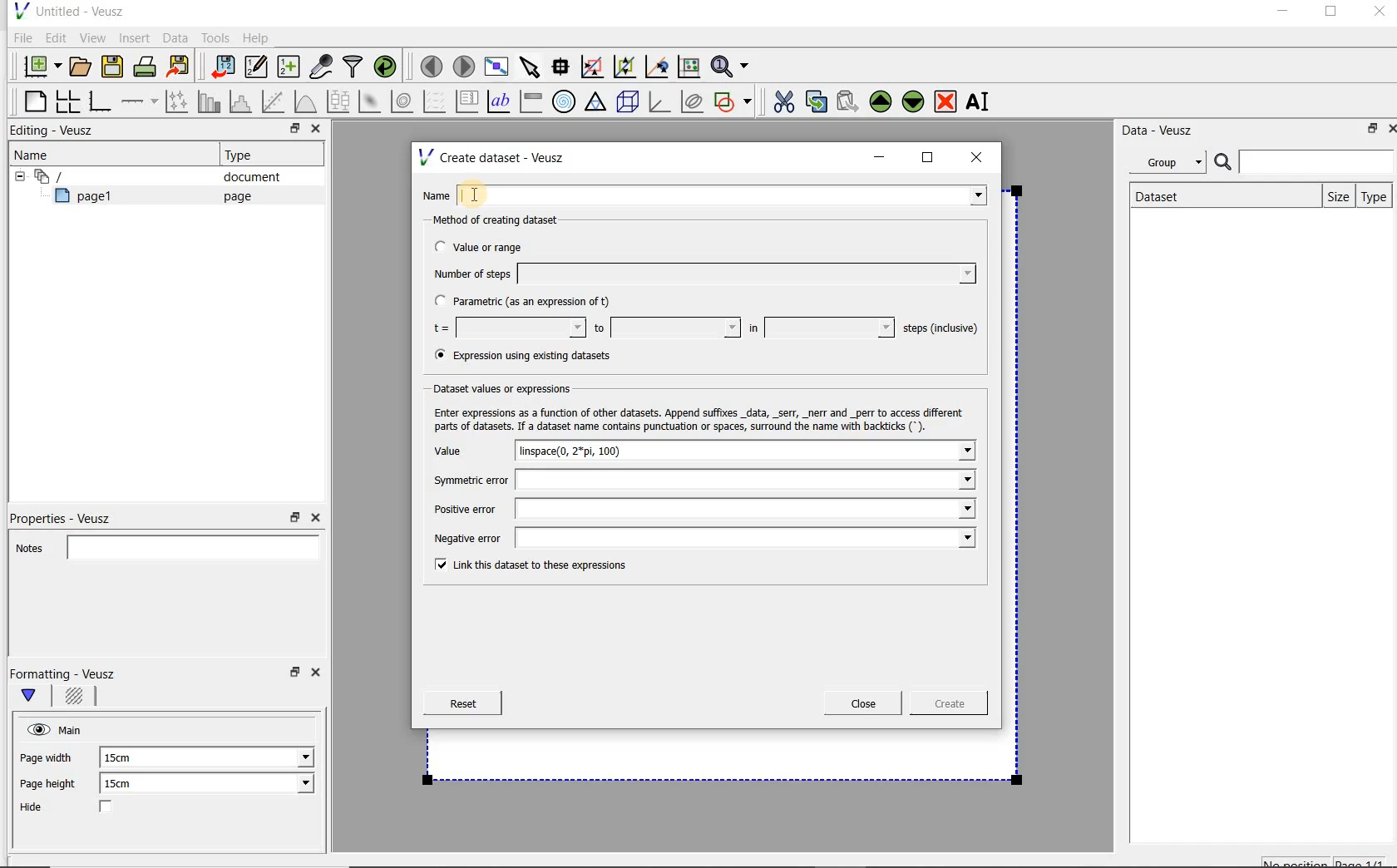  Describe the element at coordinates (494, 157) in the screenshot. I see `Create dataset - Veusz` at that location.